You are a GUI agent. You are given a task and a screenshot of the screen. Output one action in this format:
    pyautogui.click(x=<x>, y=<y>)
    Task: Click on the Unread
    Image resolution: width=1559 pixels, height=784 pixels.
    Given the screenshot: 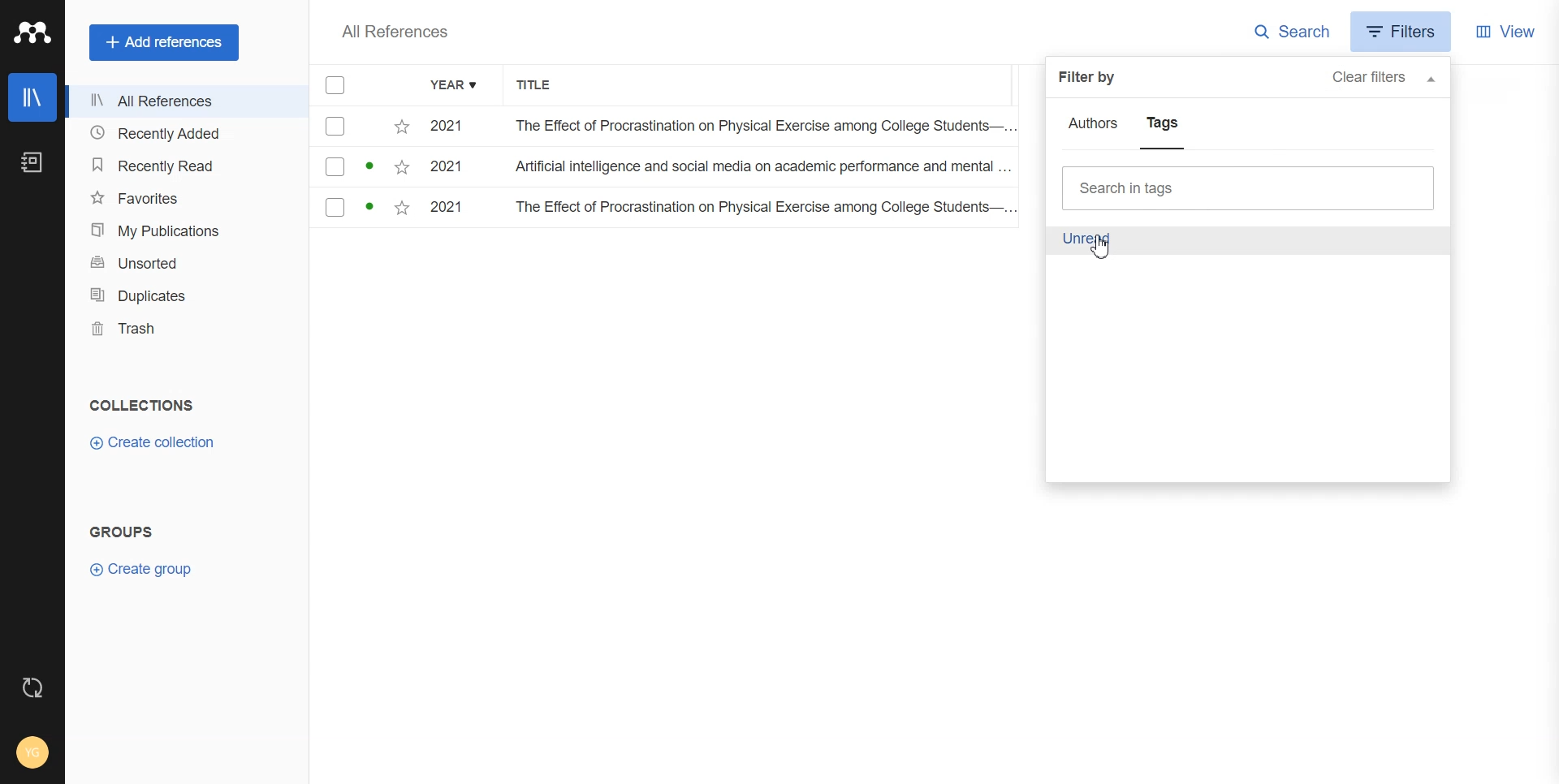 What is the action you would take?
    pyautogui.click(x=1087, y=240)
    